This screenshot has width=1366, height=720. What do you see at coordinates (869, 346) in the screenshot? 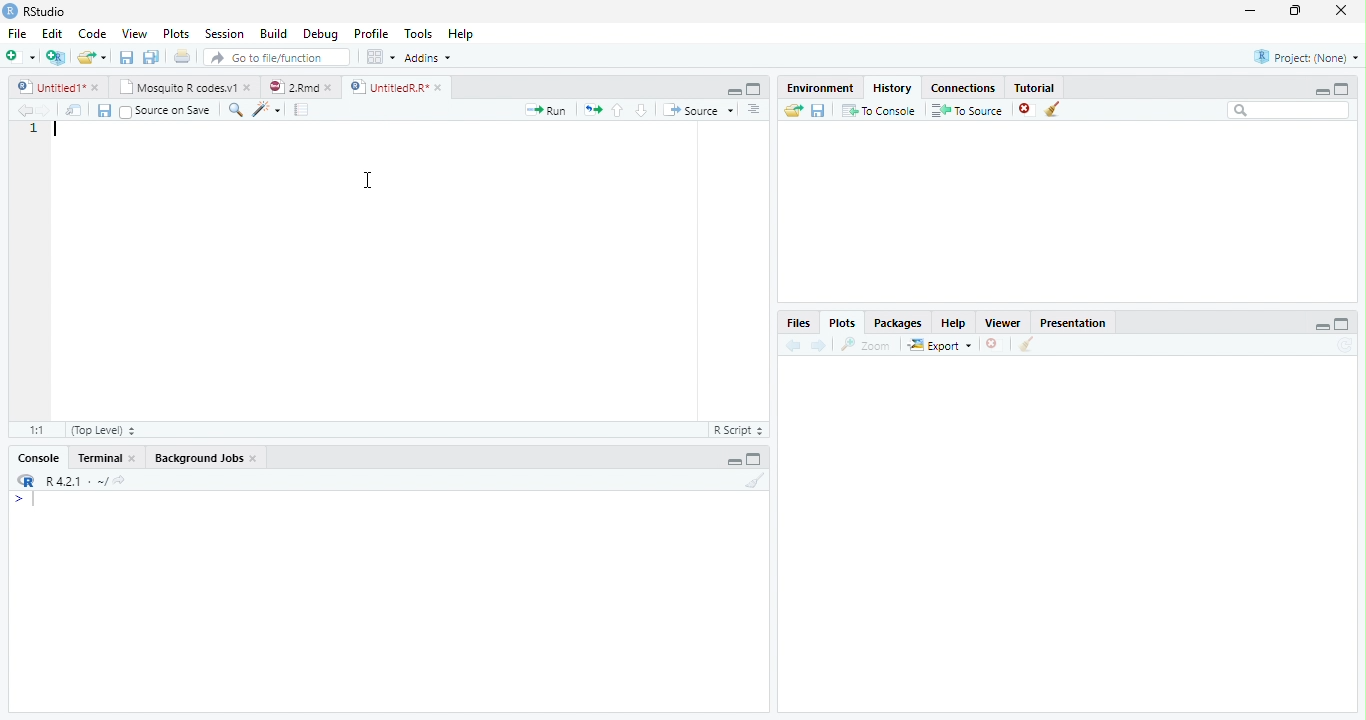
I see `zoom` at bounding box center [869, 346].